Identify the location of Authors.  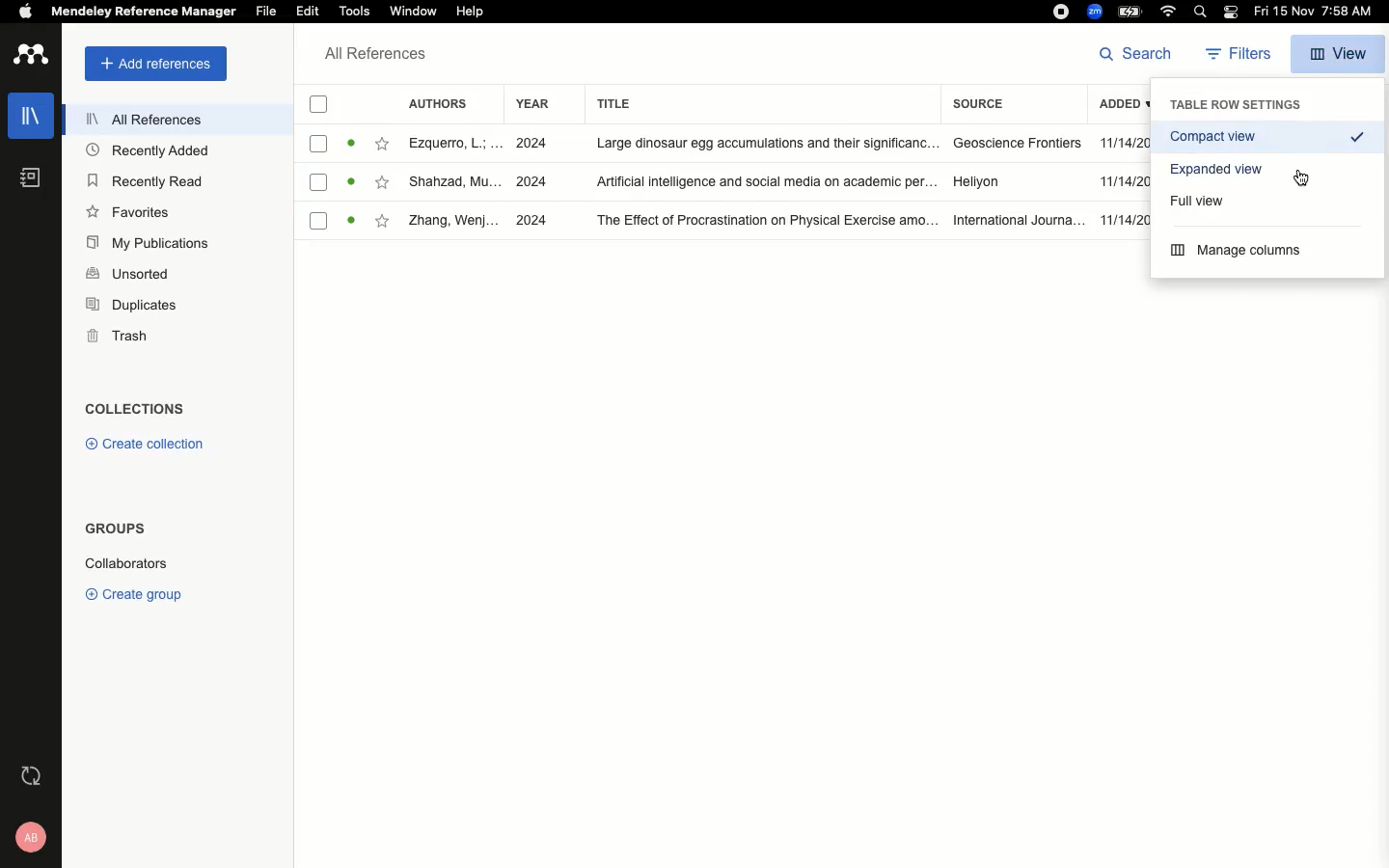
(441, 104).